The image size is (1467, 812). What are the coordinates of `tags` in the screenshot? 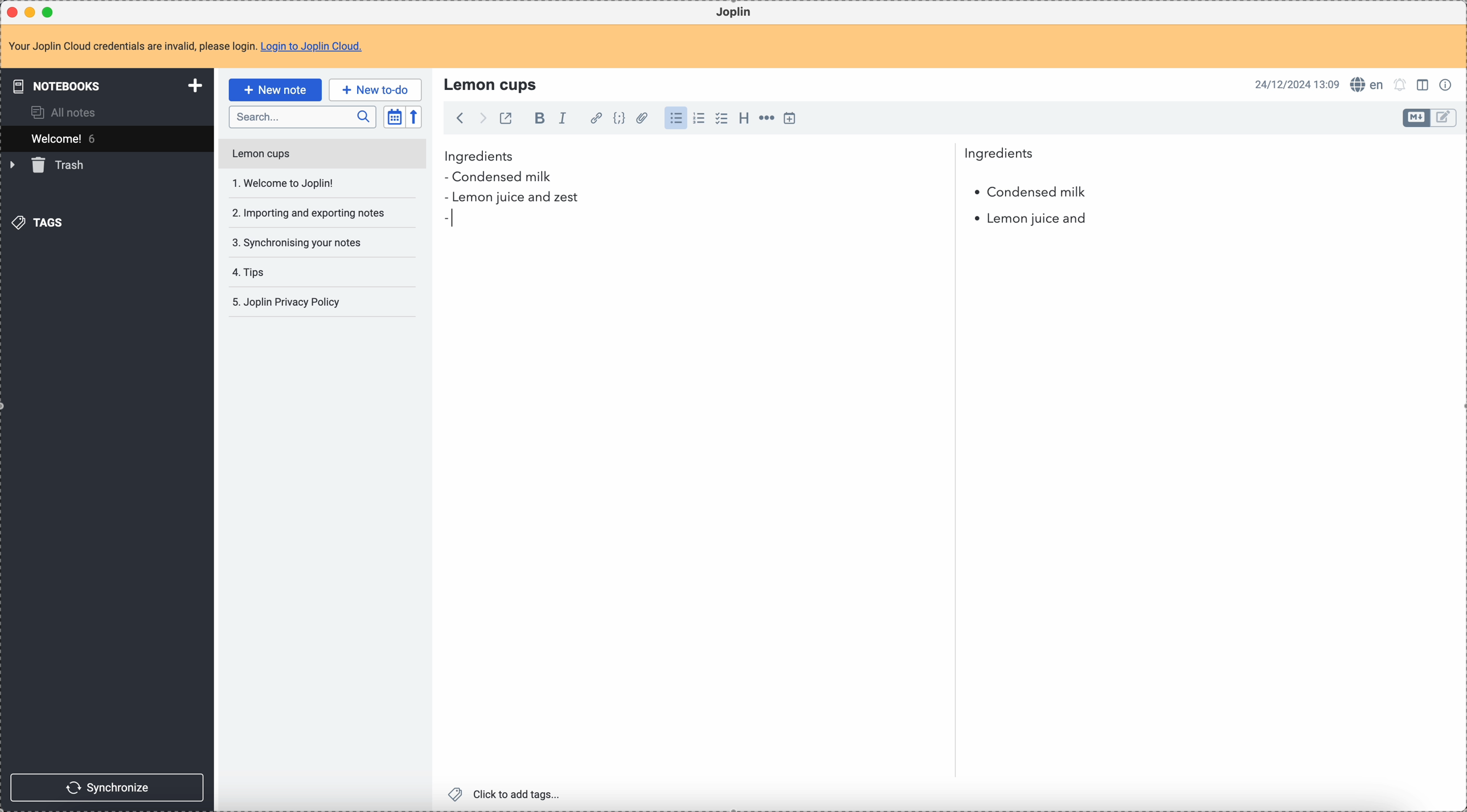 It's located at (40, 222).